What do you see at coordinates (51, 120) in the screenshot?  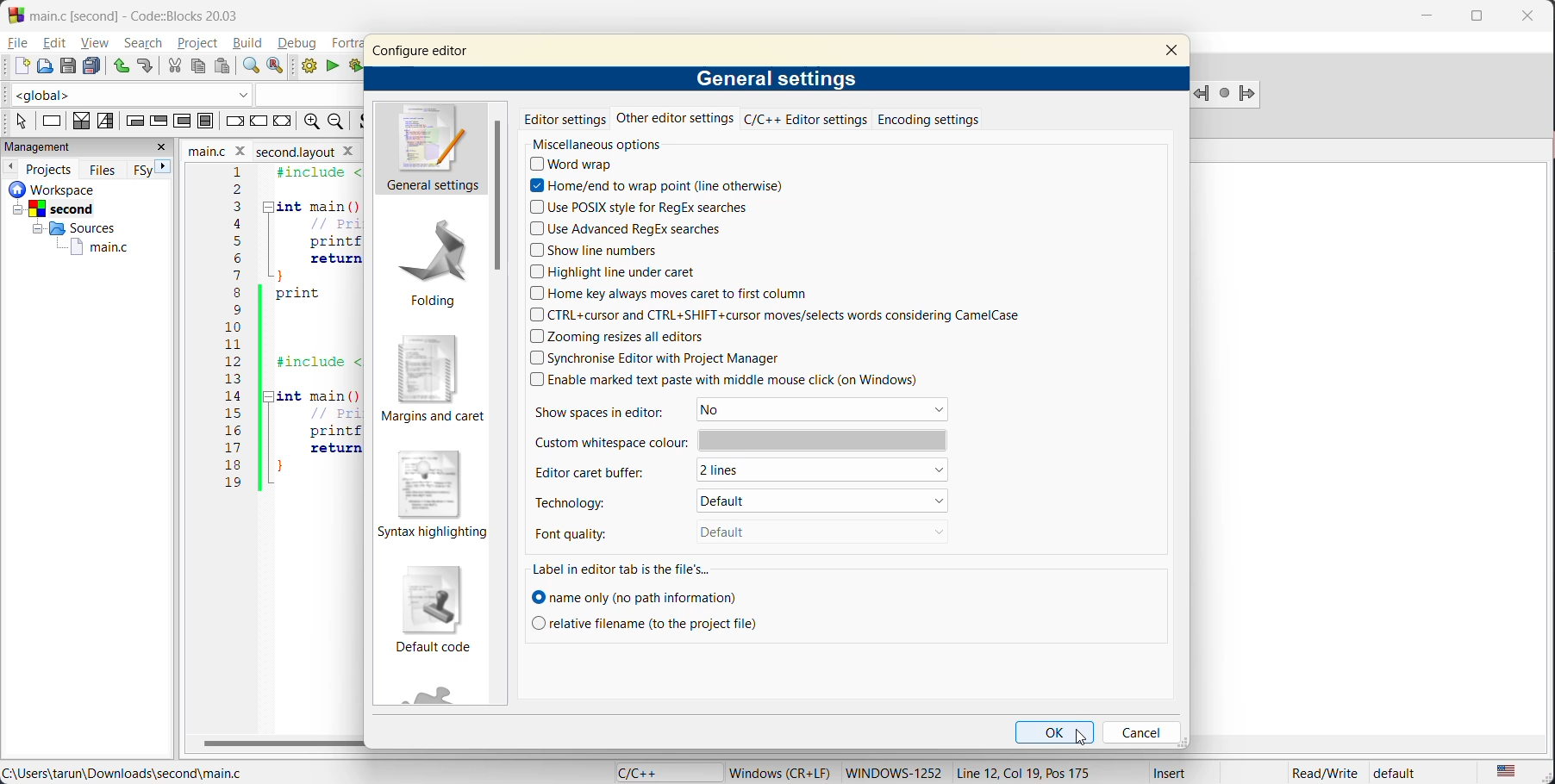 I see `instruction` at bounding box center [51, 120].